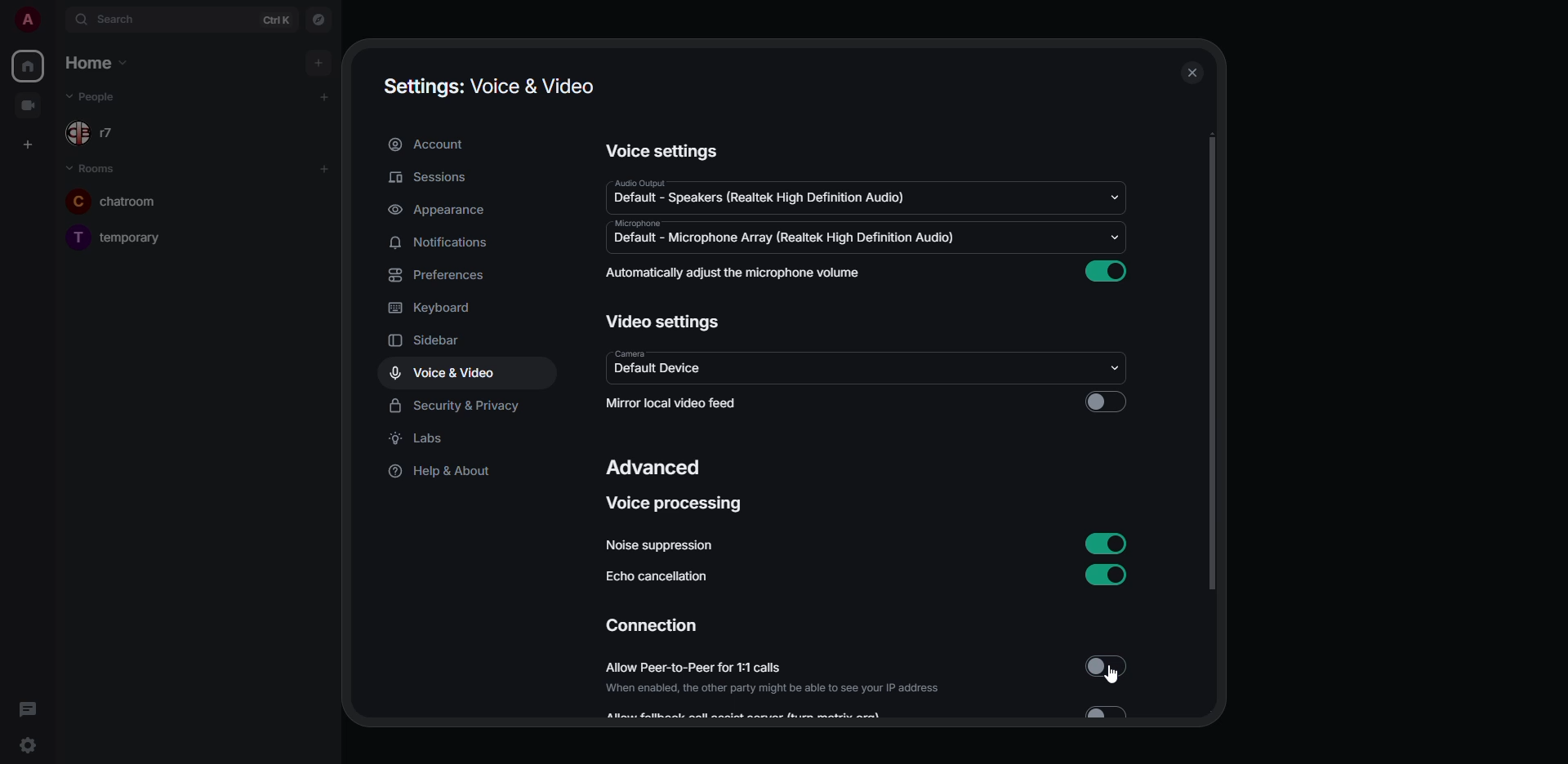  What do you see at coordinates (657, 369) in the screenshot?
I see `default` at bounding box center [657, 369].